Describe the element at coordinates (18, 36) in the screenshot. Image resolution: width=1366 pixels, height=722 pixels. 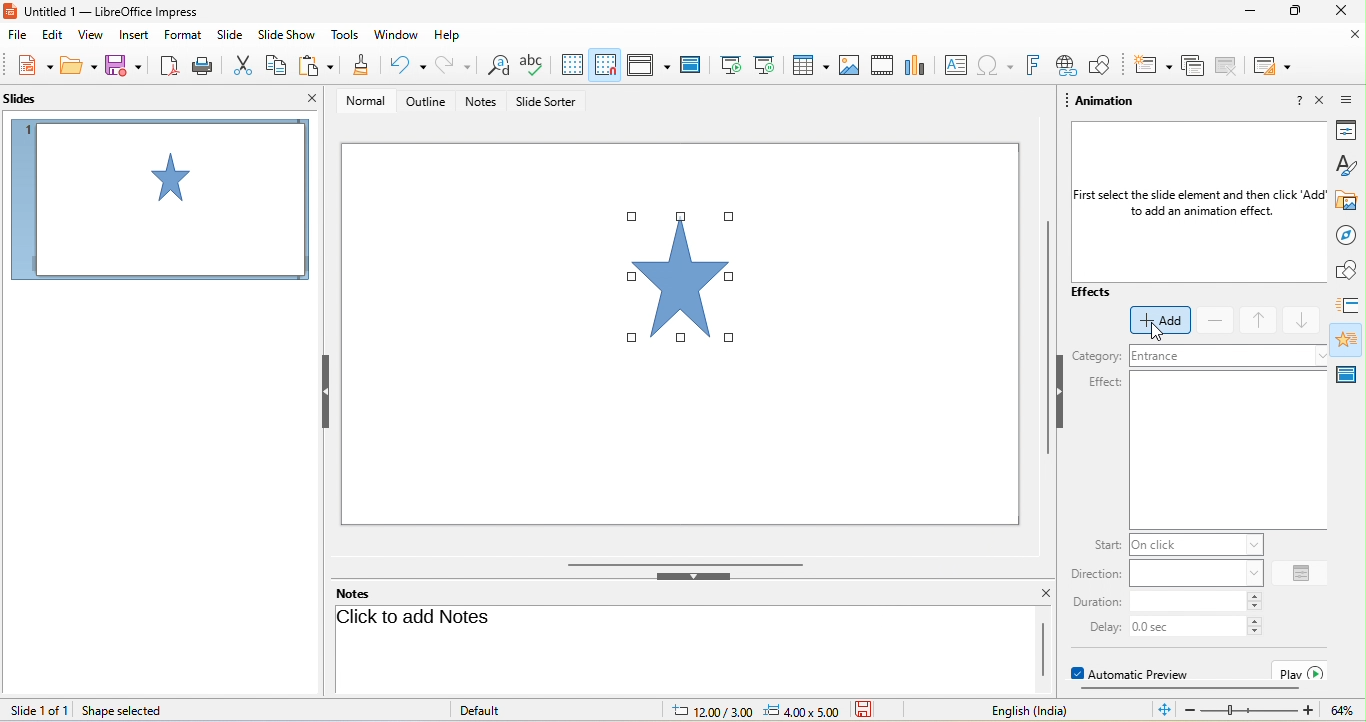
I see `file` at that location.